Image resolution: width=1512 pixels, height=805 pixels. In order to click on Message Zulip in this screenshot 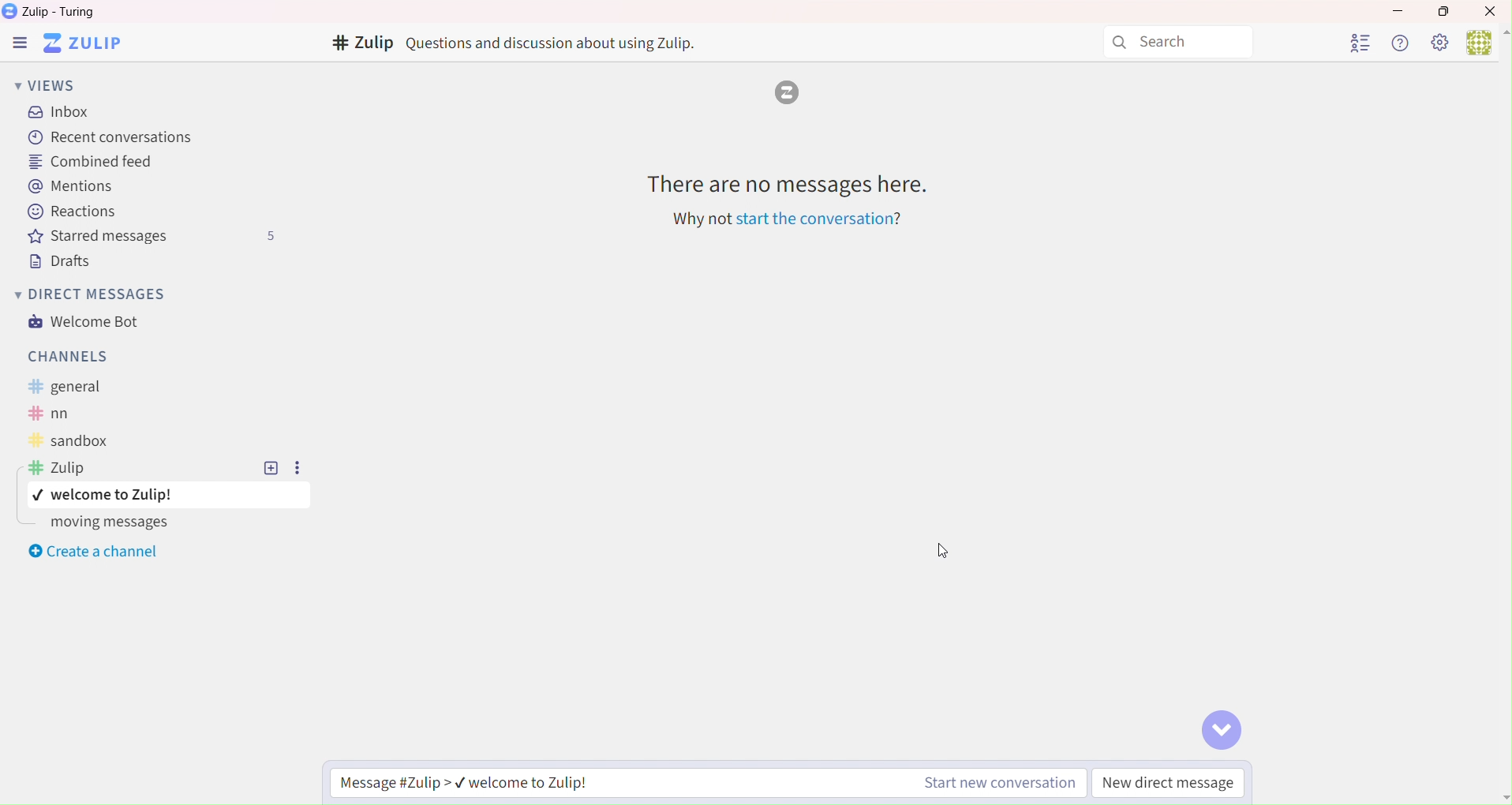, I will do `click(457, 781)`.